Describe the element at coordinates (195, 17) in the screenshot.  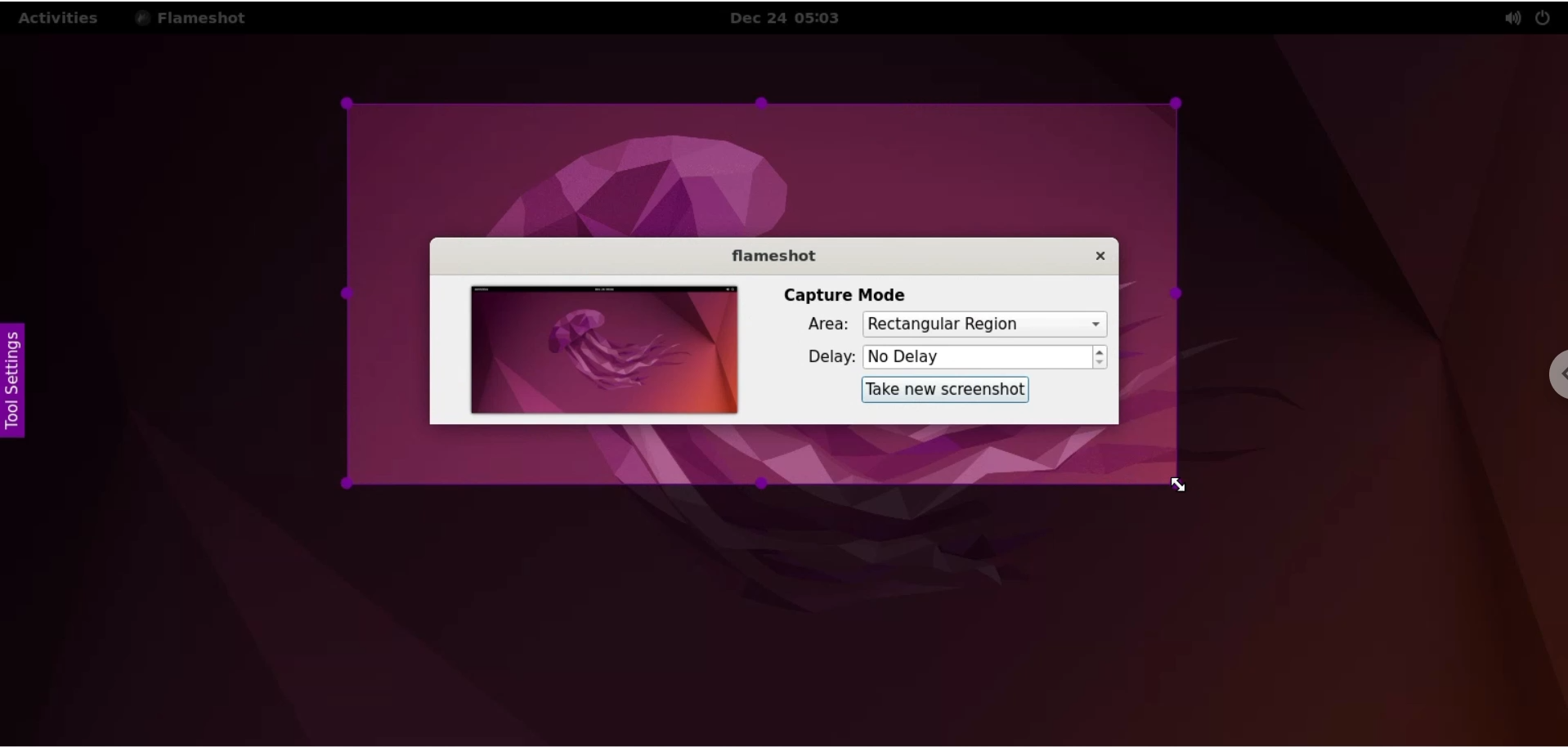
I see `flameshot options` at that location.